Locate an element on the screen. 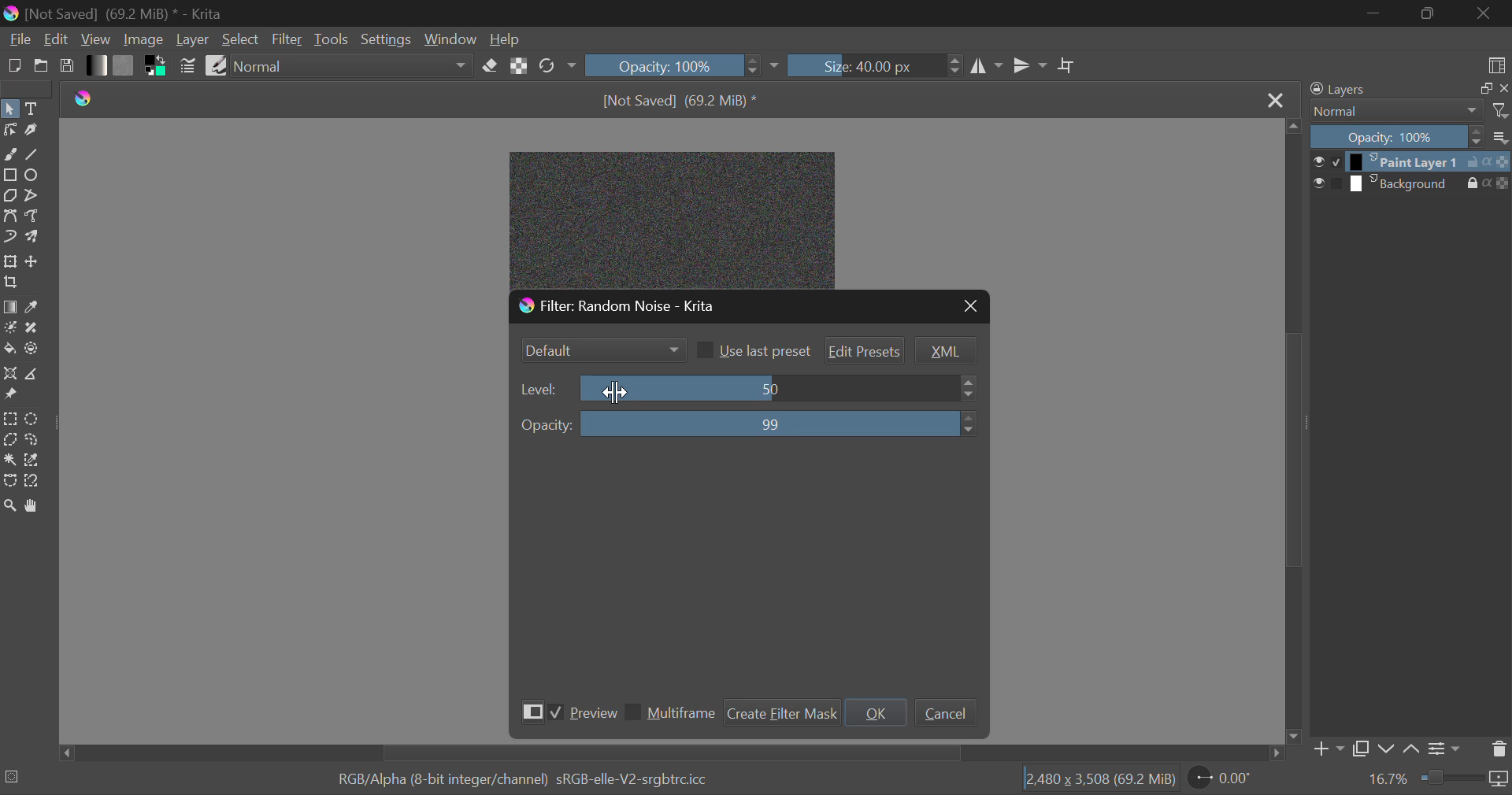 The width and height of the screenshot is (1512, 795). Help is located at coordinates (504, 40).